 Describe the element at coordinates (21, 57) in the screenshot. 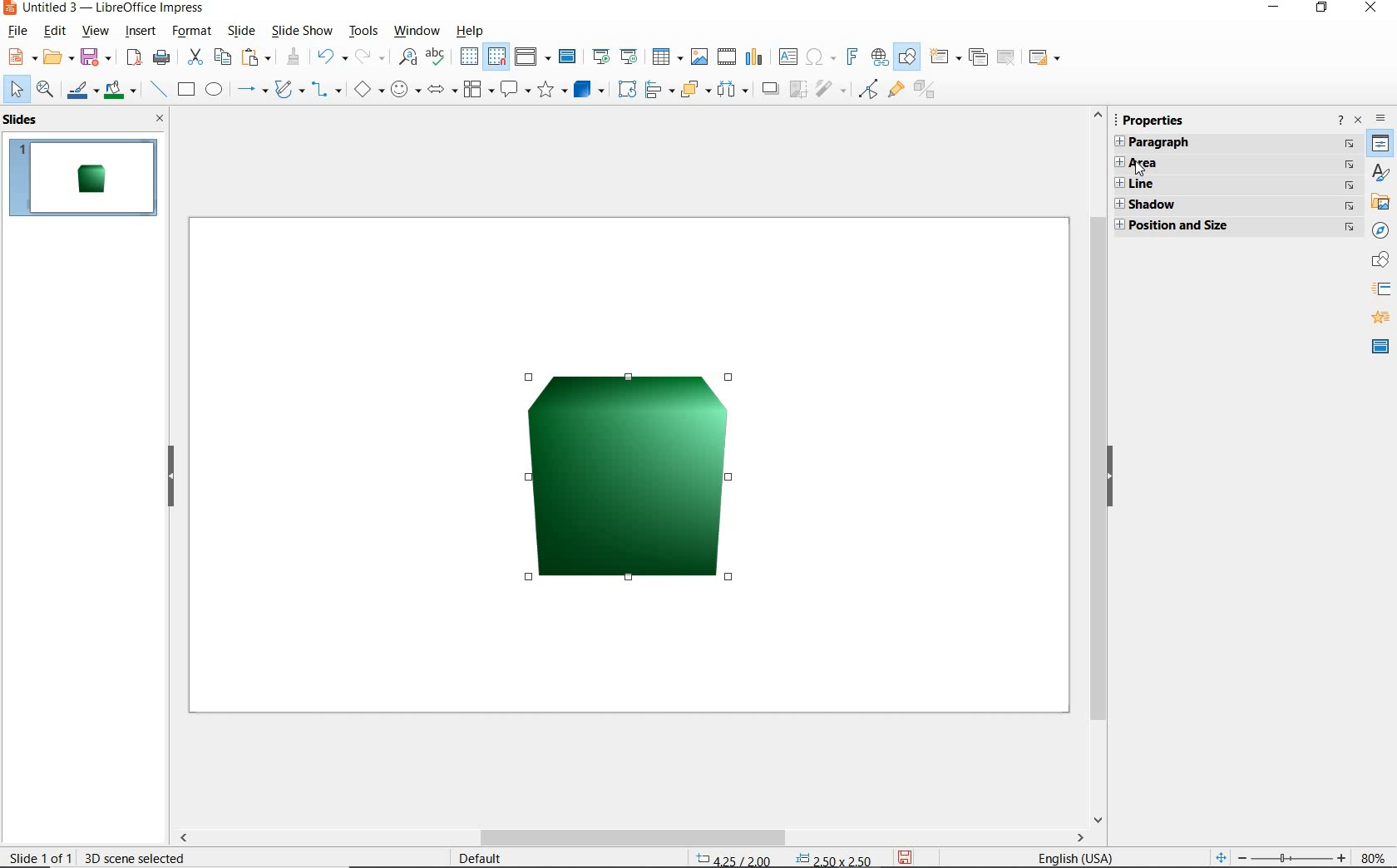

I see `new` at that location.